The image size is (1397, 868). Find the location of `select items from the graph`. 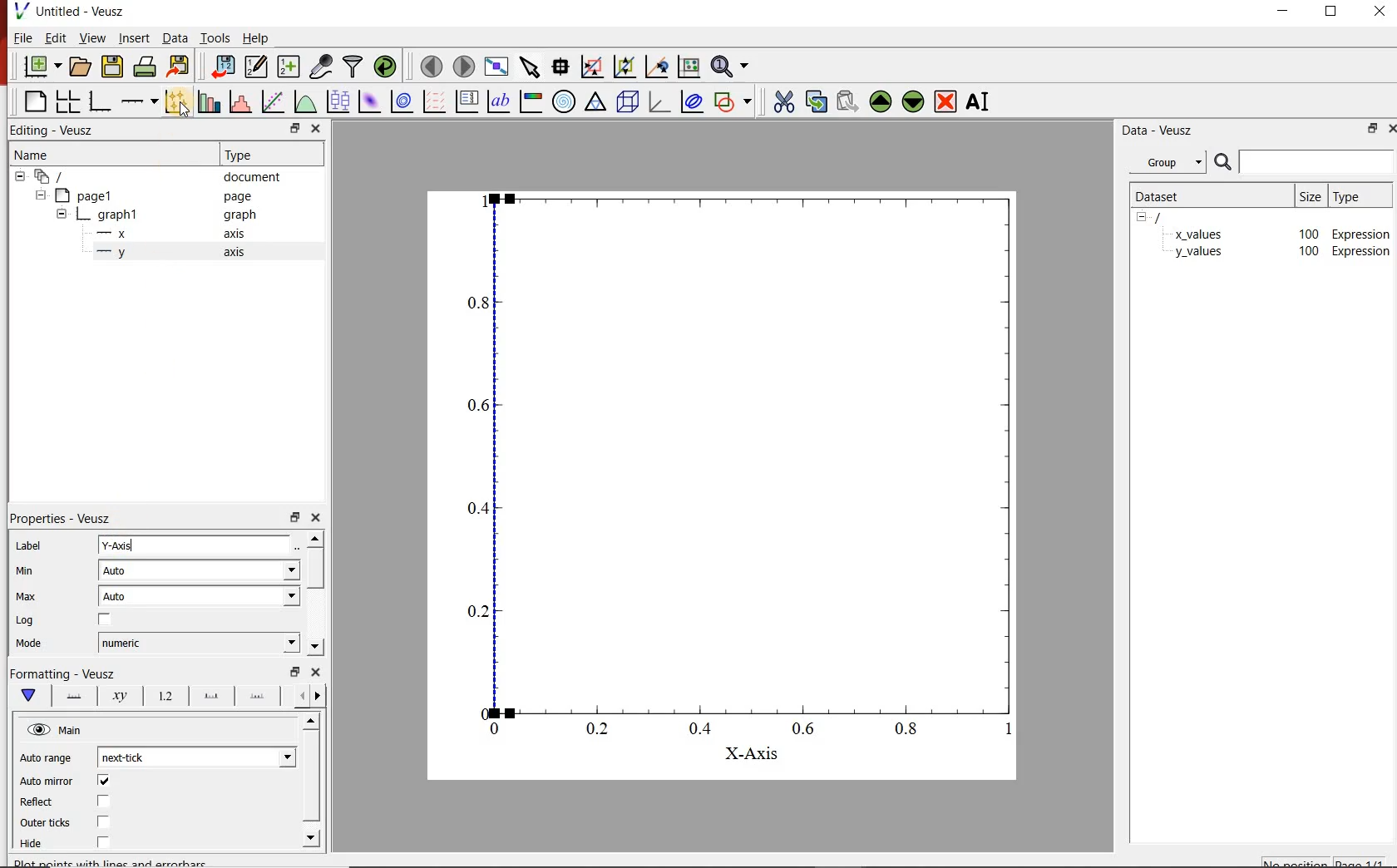

select items from the graph is located at coordinates (531, 67).